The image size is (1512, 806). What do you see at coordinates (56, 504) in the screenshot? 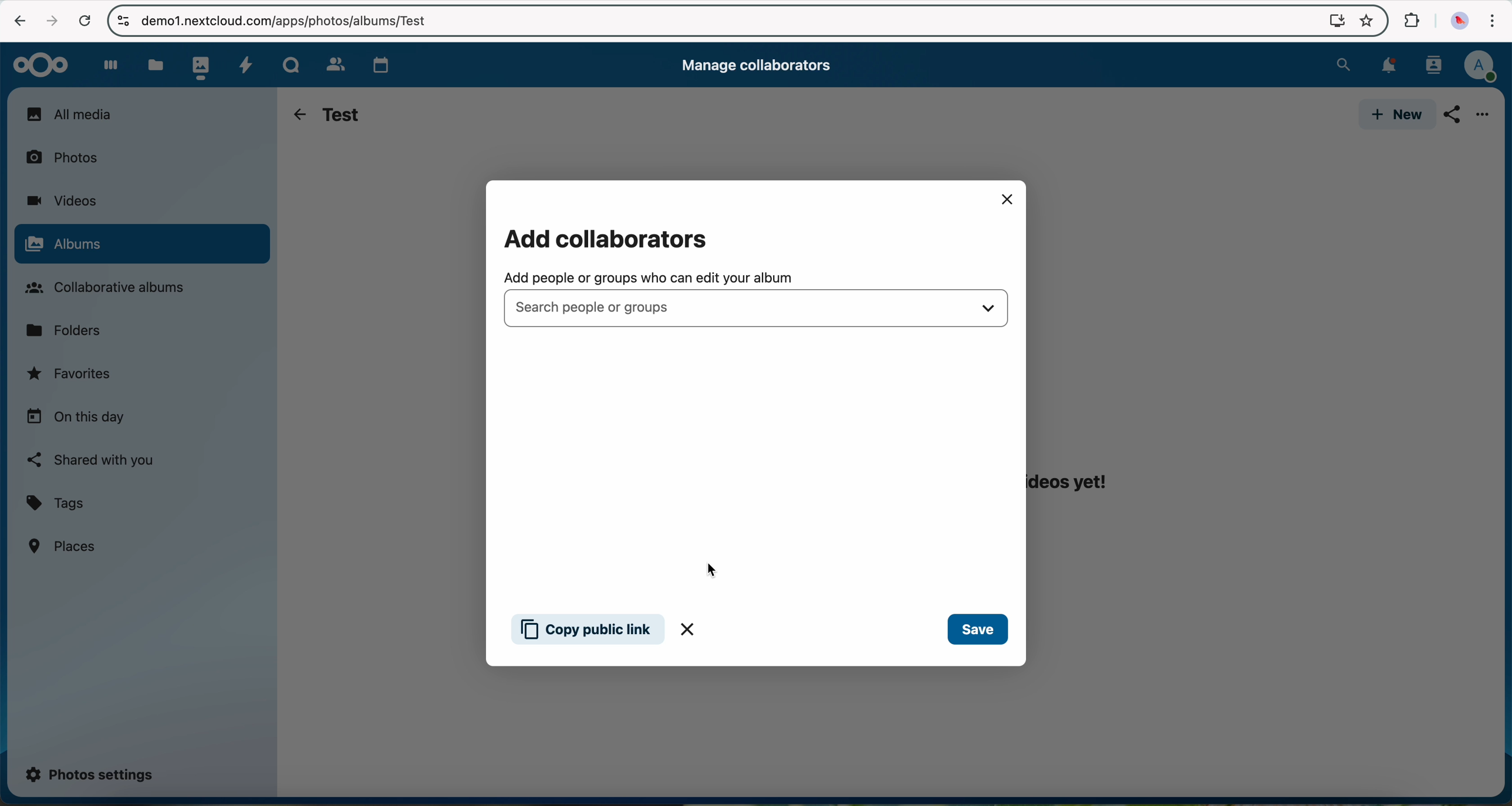
I see `tags` at bounding box center [56, 504].